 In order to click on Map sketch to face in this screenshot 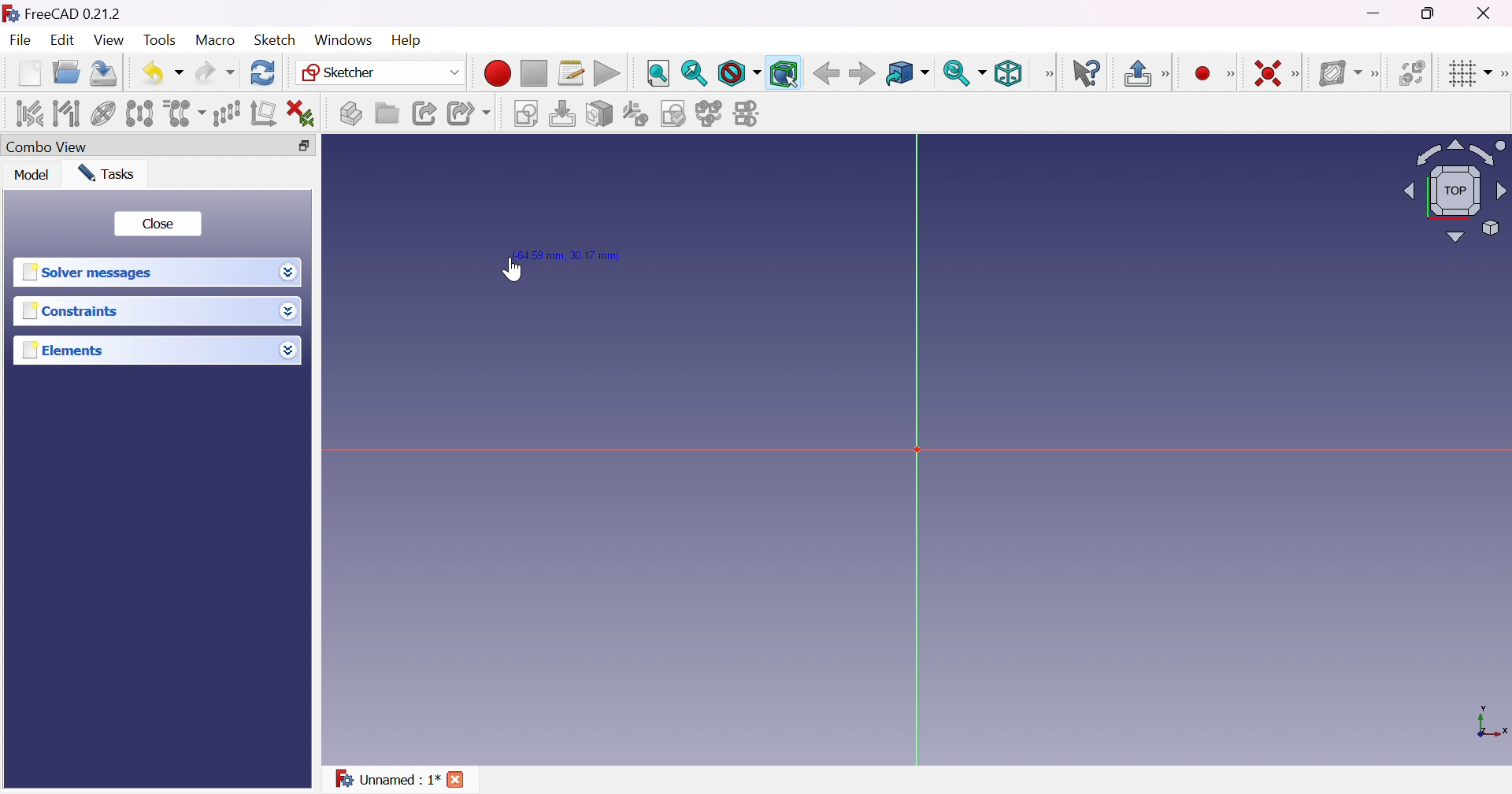, I will do `click(598, 113)`.